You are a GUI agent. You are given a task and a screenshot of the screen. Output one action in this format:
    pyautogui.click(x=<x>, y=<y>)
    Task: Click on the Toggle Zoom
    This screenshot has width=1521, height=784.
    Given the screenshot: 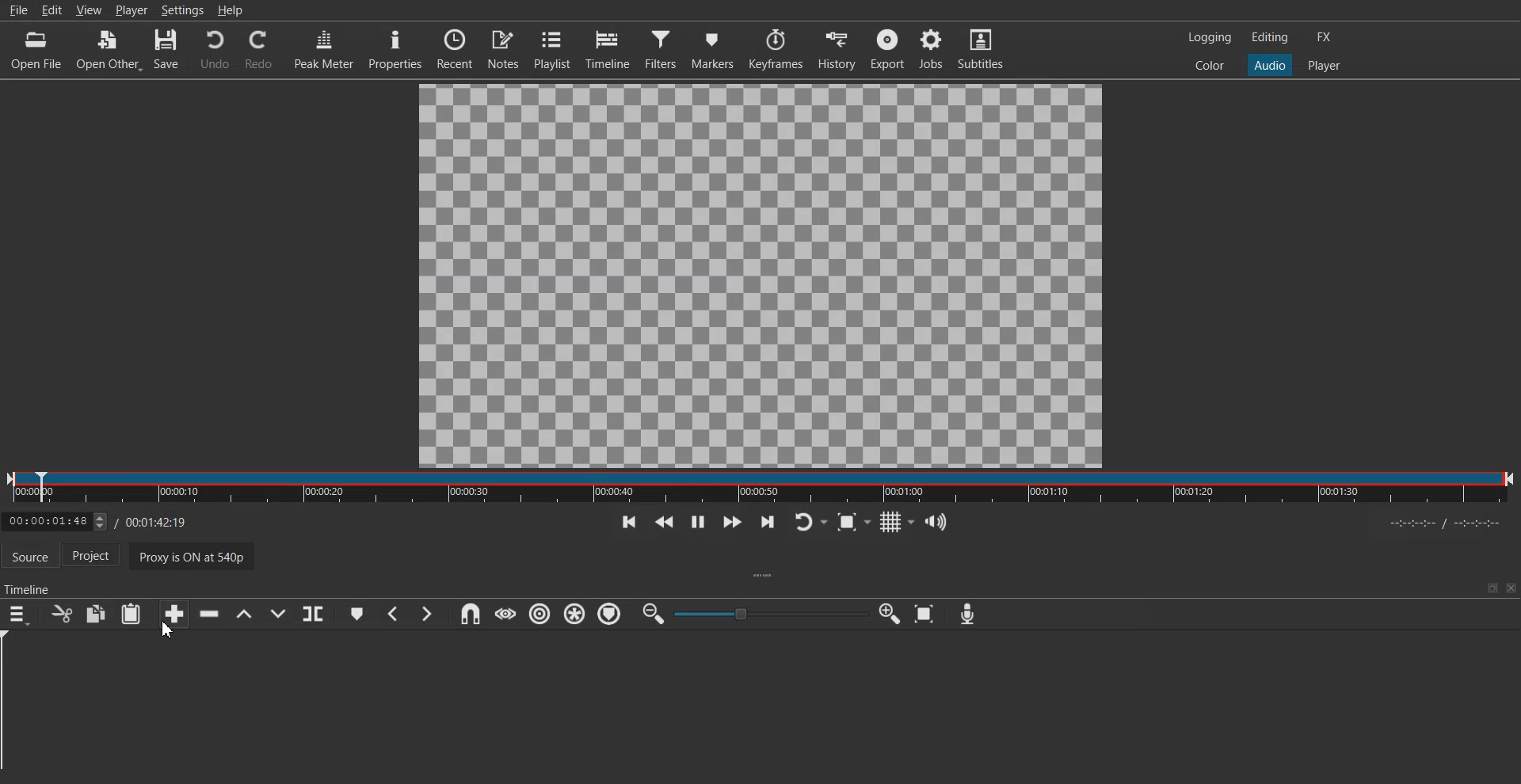 What is the action you would take?
    pyautogui.click(x=855, y=523)
    